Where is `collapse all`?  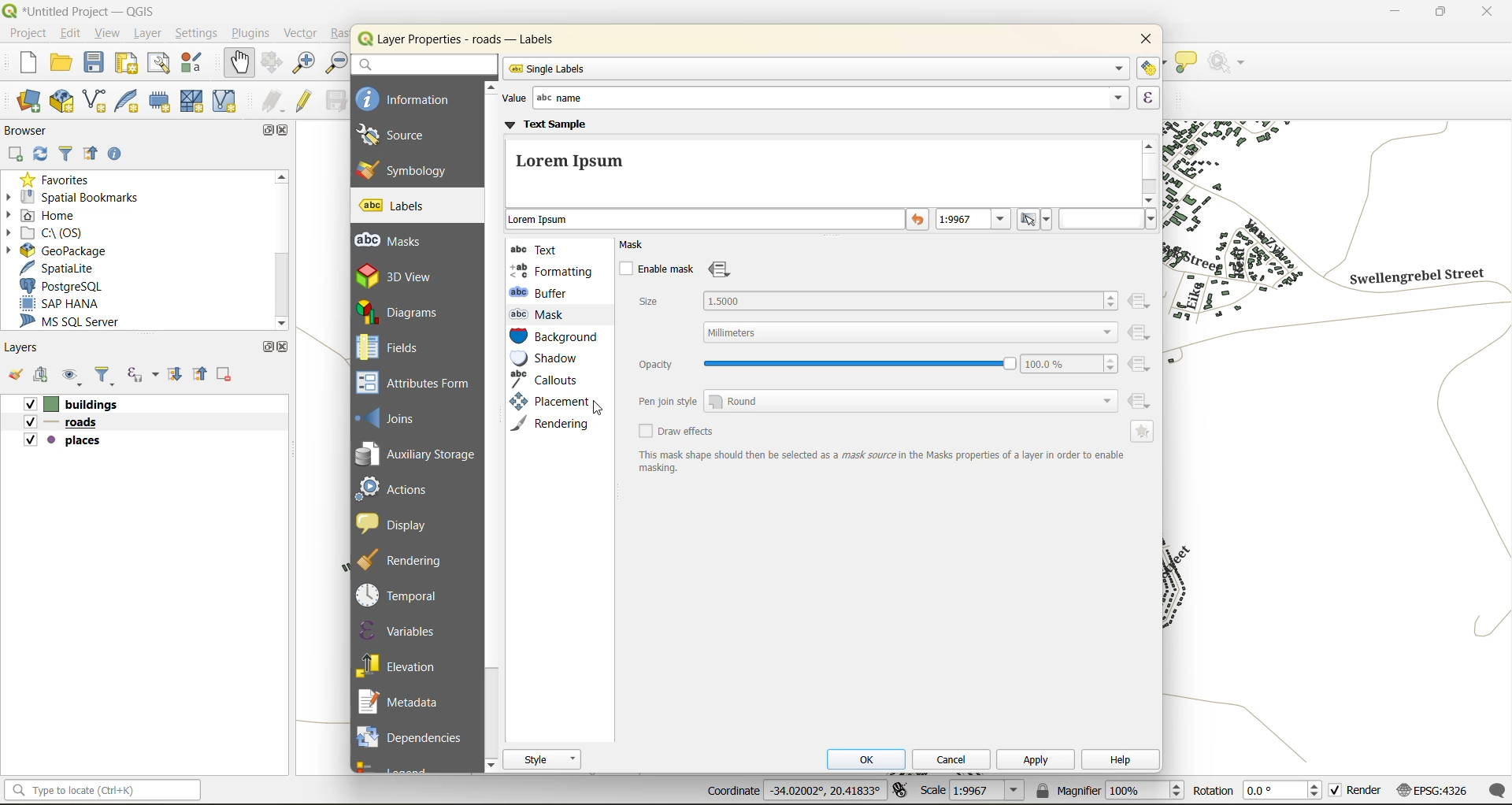 collapse all is located at coordinates (202, 377).